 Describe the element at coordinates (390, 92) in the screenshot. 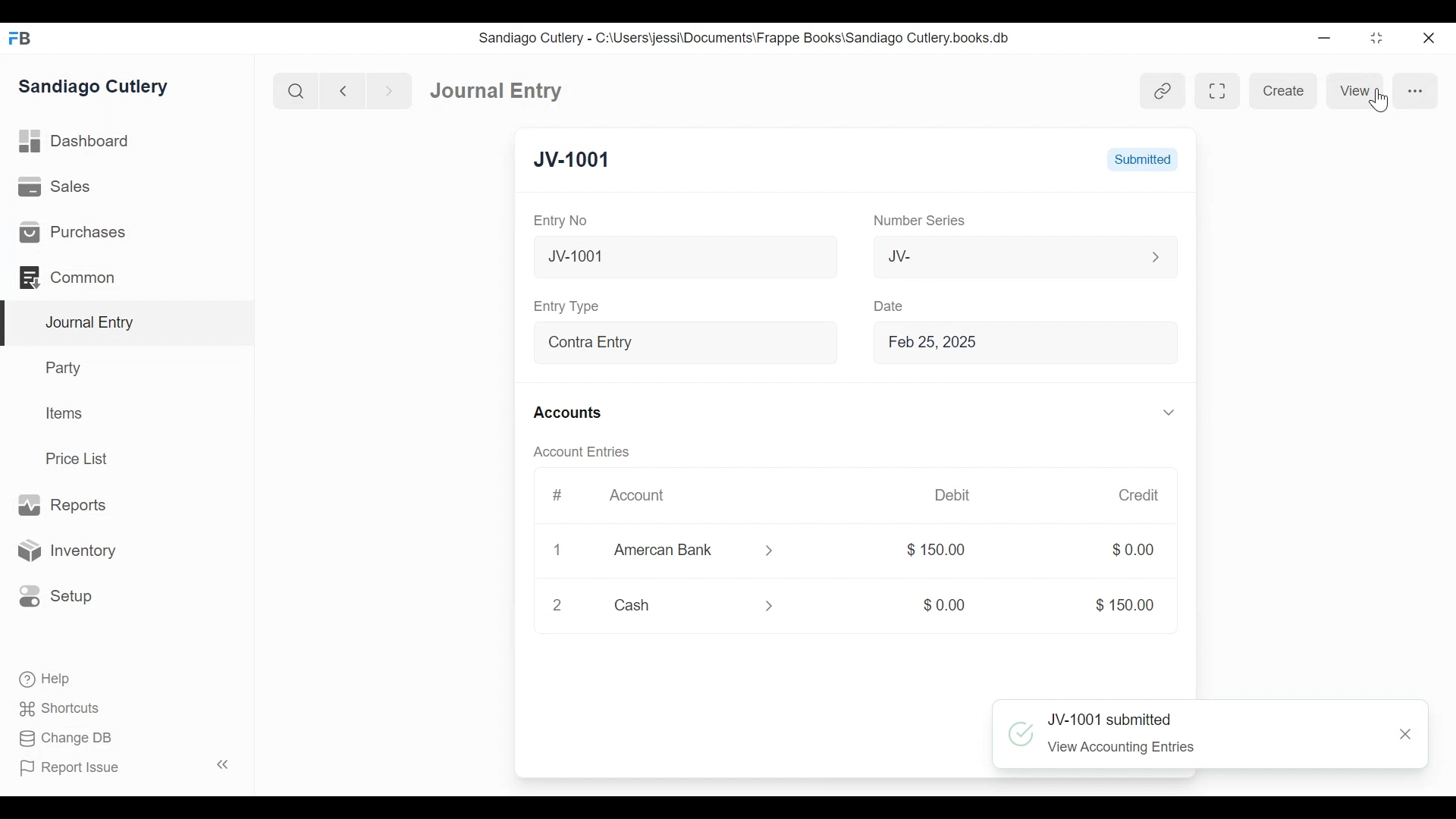

I see `Navigate Forward` at that location.